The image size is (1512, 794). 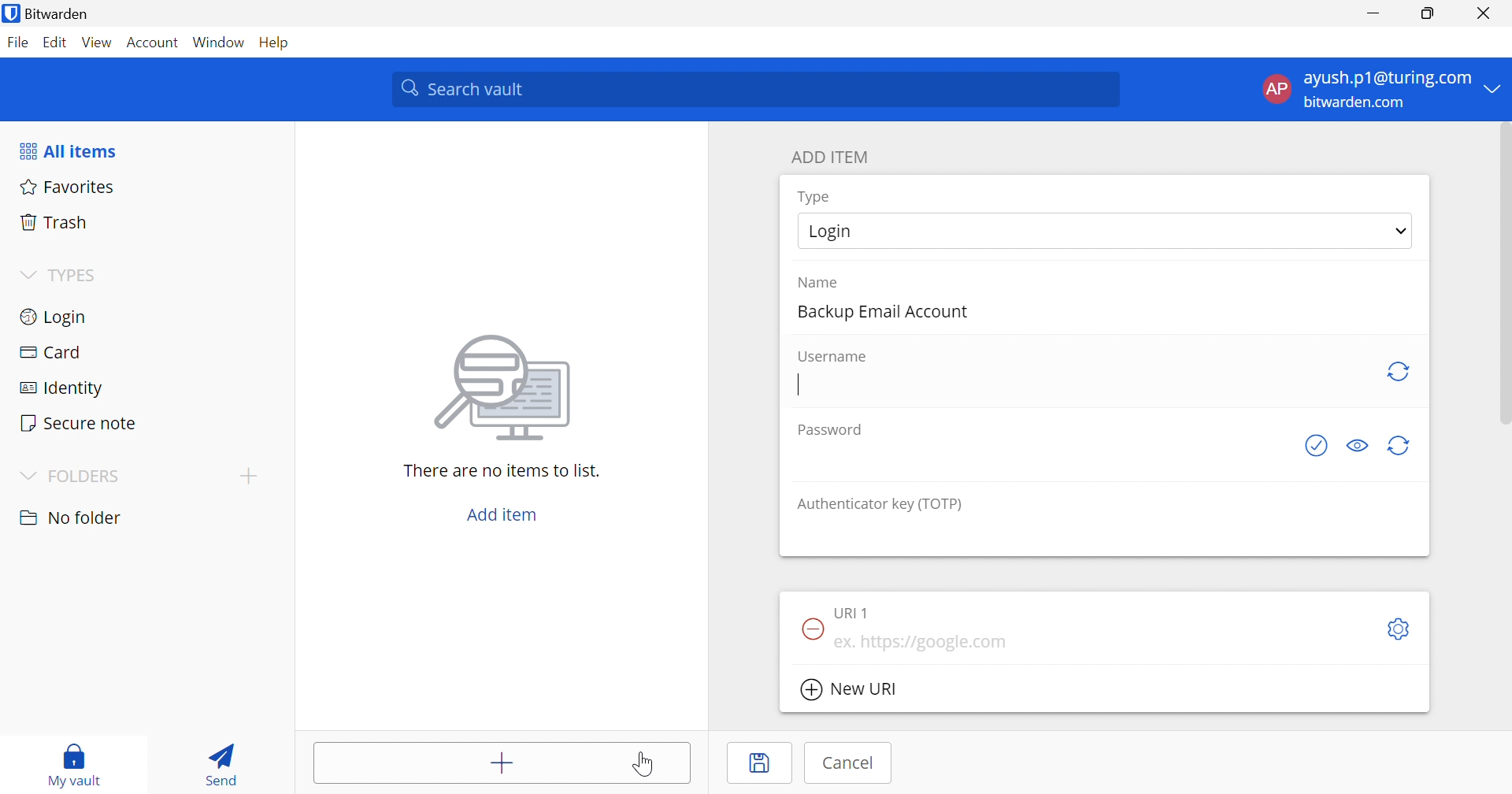 What do you see at coordinates (50, 354) in the screenshot?
I see `Card` at bounding box center [50, 354].